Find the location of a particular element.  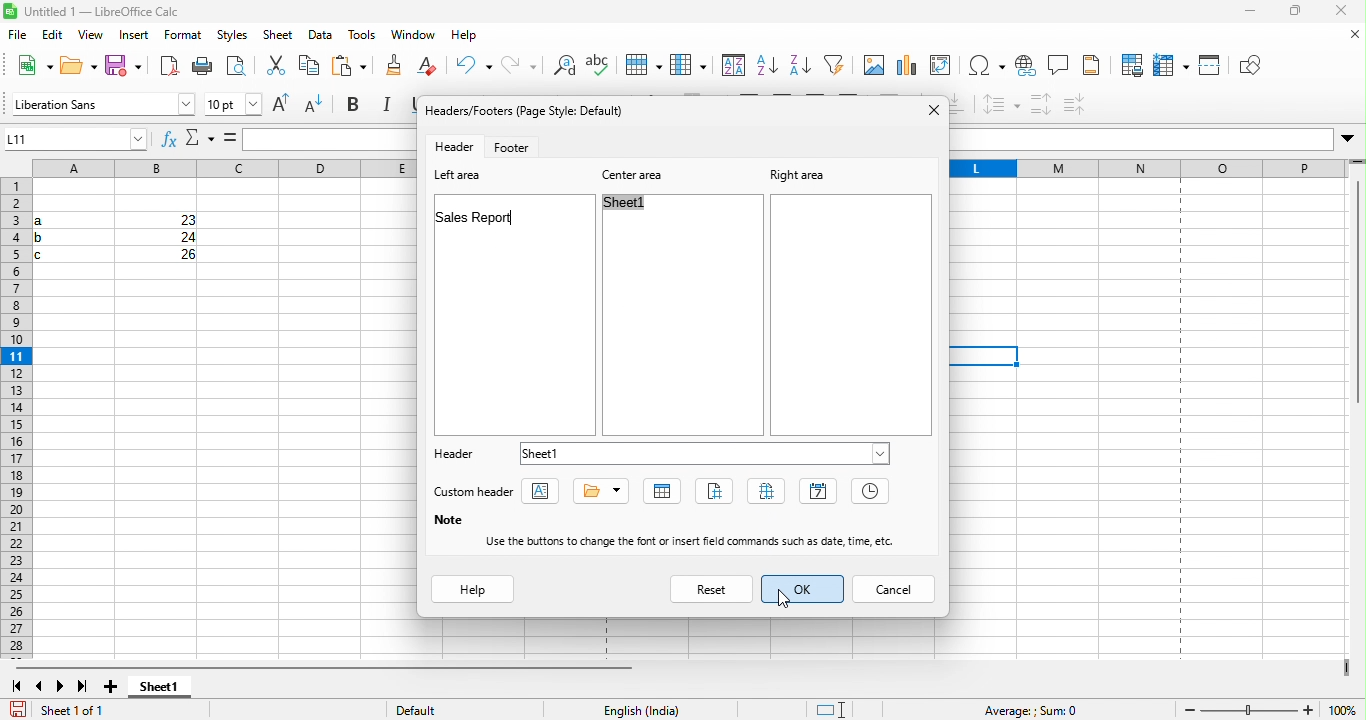

vertical scroll bar is located at coordinates (1355, 293).